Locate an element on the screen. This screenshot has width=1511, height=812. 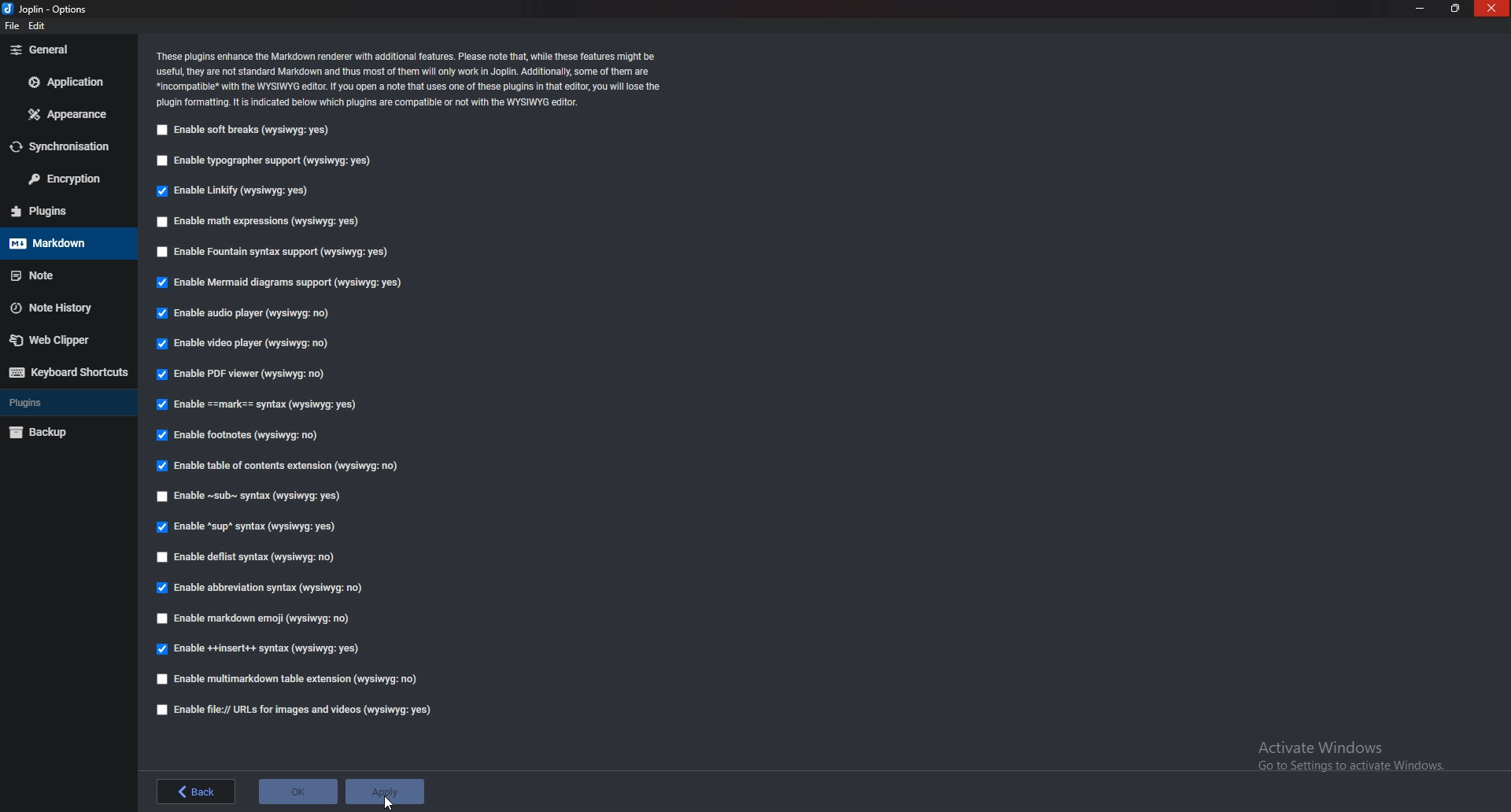
Enable linkify is located at coordinates (236, 190).